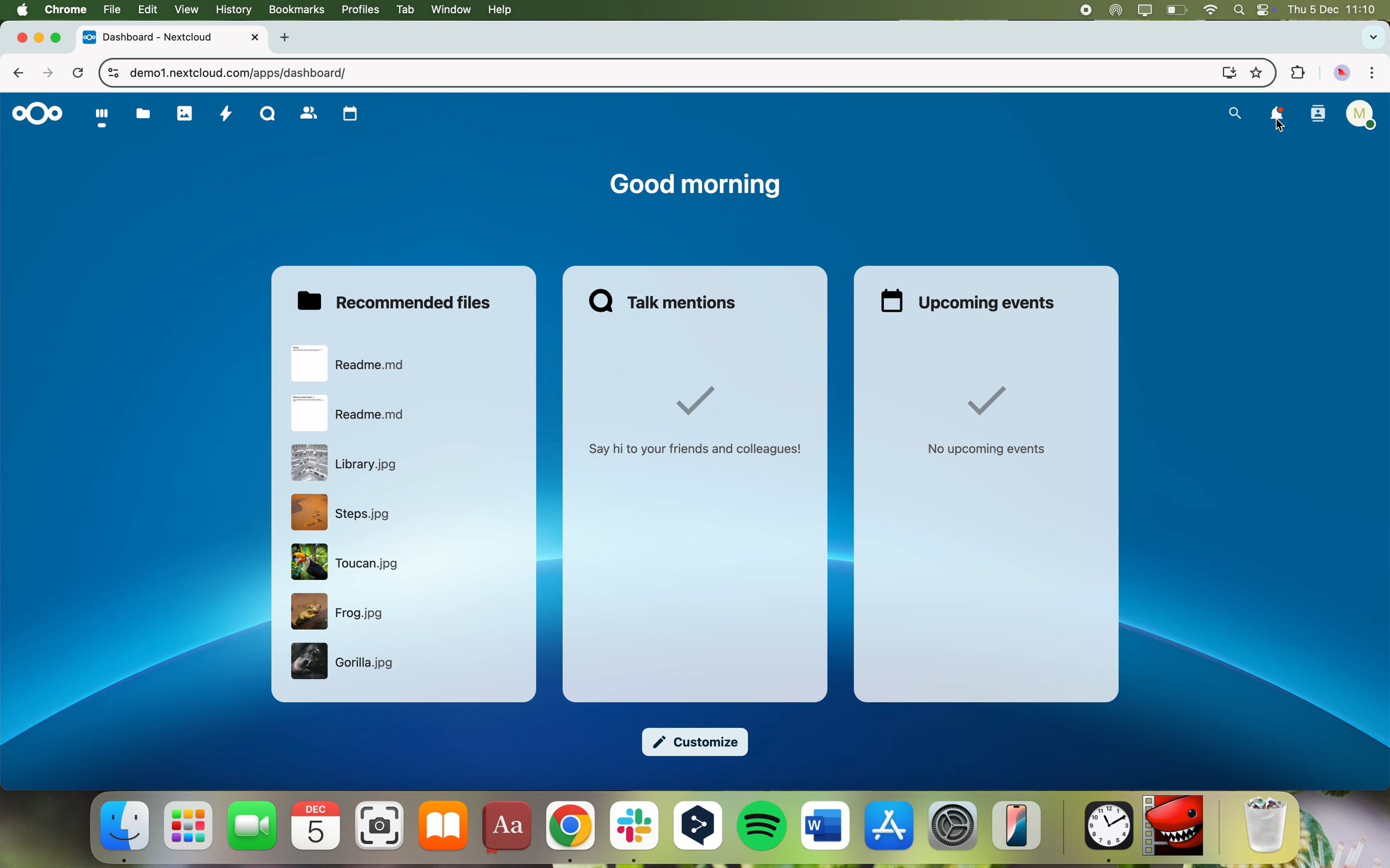  What do you see at coordinates (240, 72) in the screenshot?
I see `URL` at bounding box center [240, 72].